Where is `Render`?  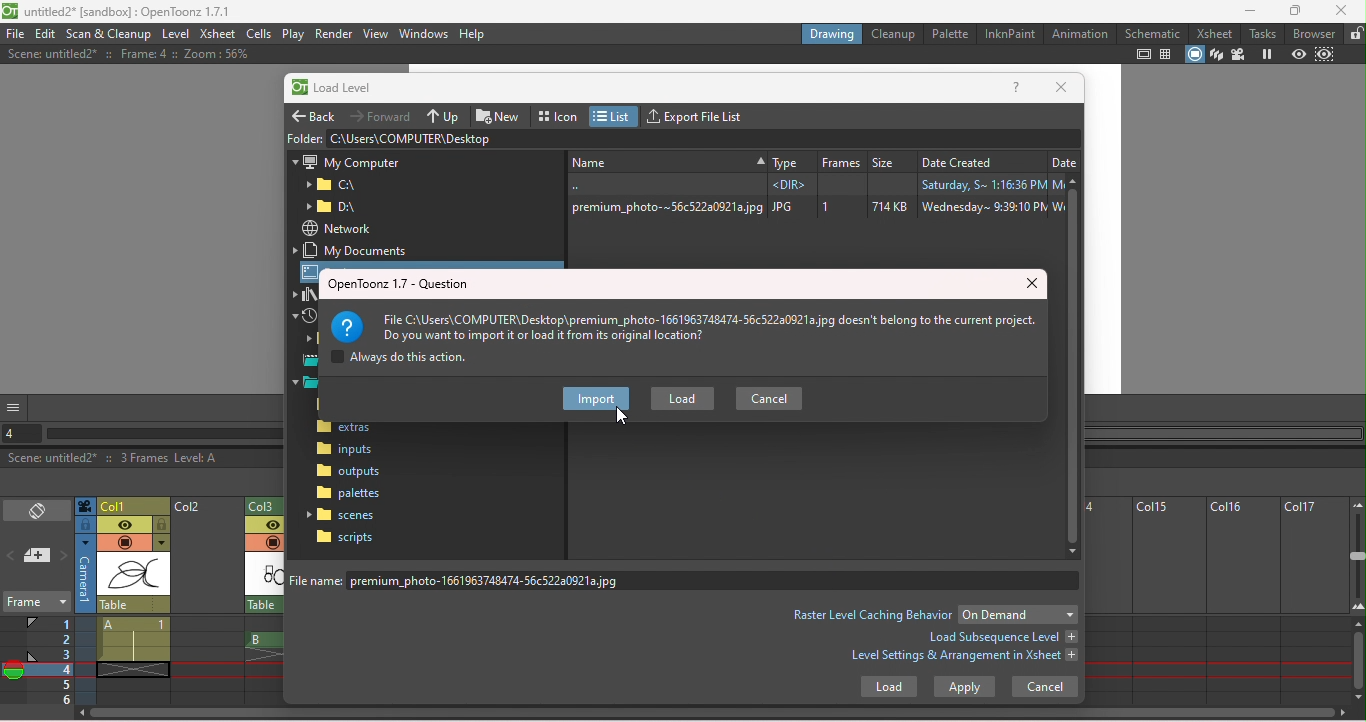
Render is located at coordinates (333, 34).